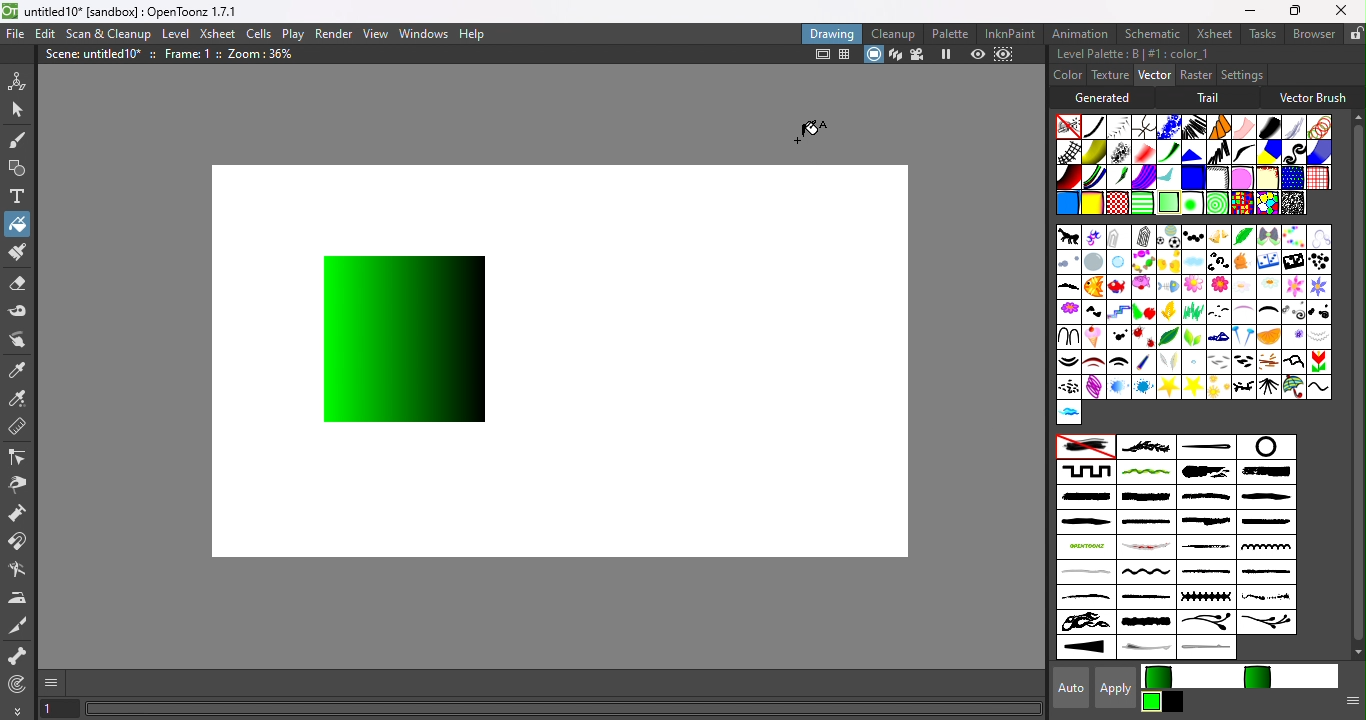 The width and height of the screenshot is (1366, 720). Describe the element at coordinates (18, 398) in the screenshot. I see `RGB picker tool` at that location.